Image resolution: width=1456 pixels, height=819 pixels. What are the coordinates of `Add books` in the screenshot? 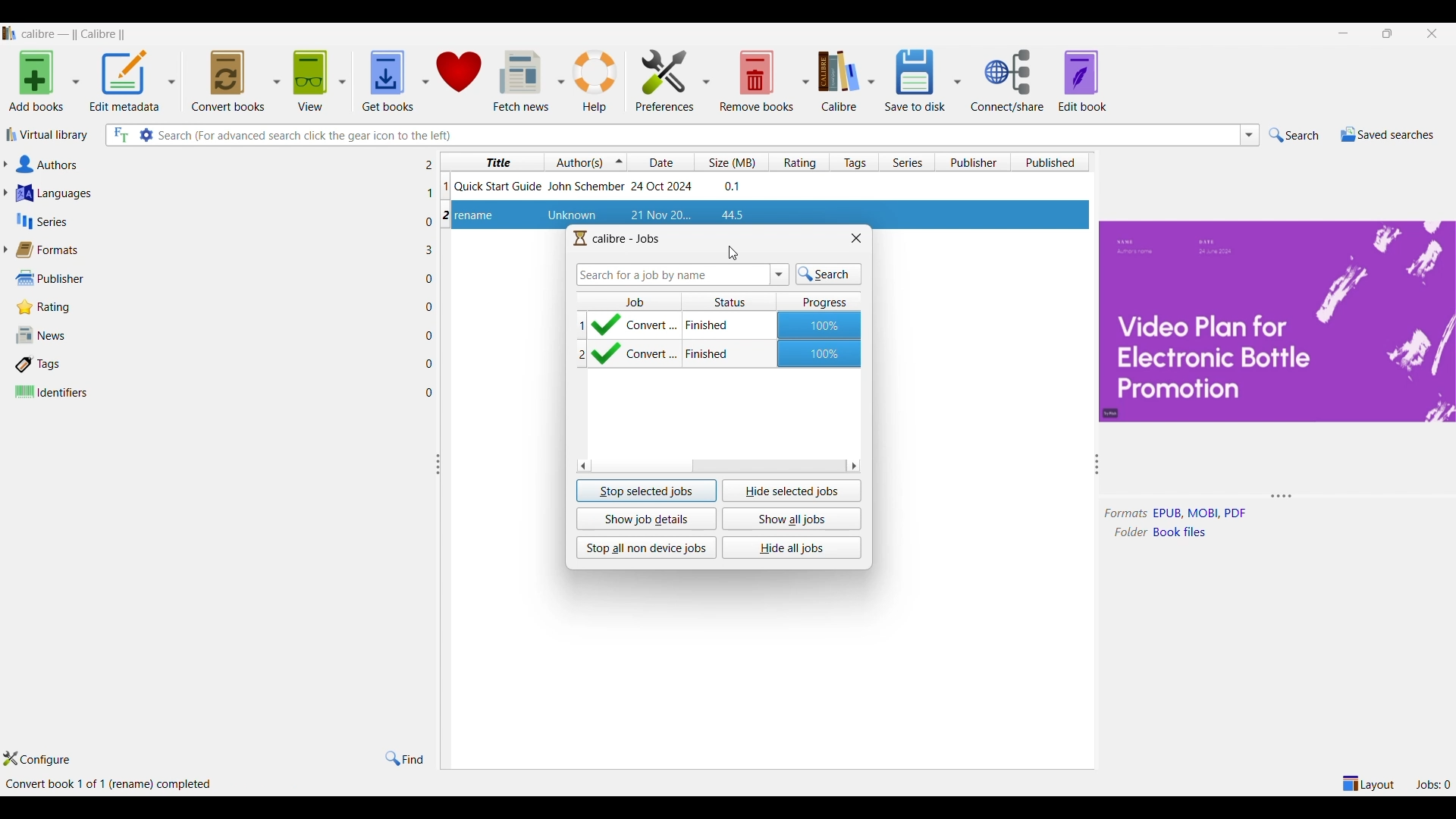 It's located at (36, 81).